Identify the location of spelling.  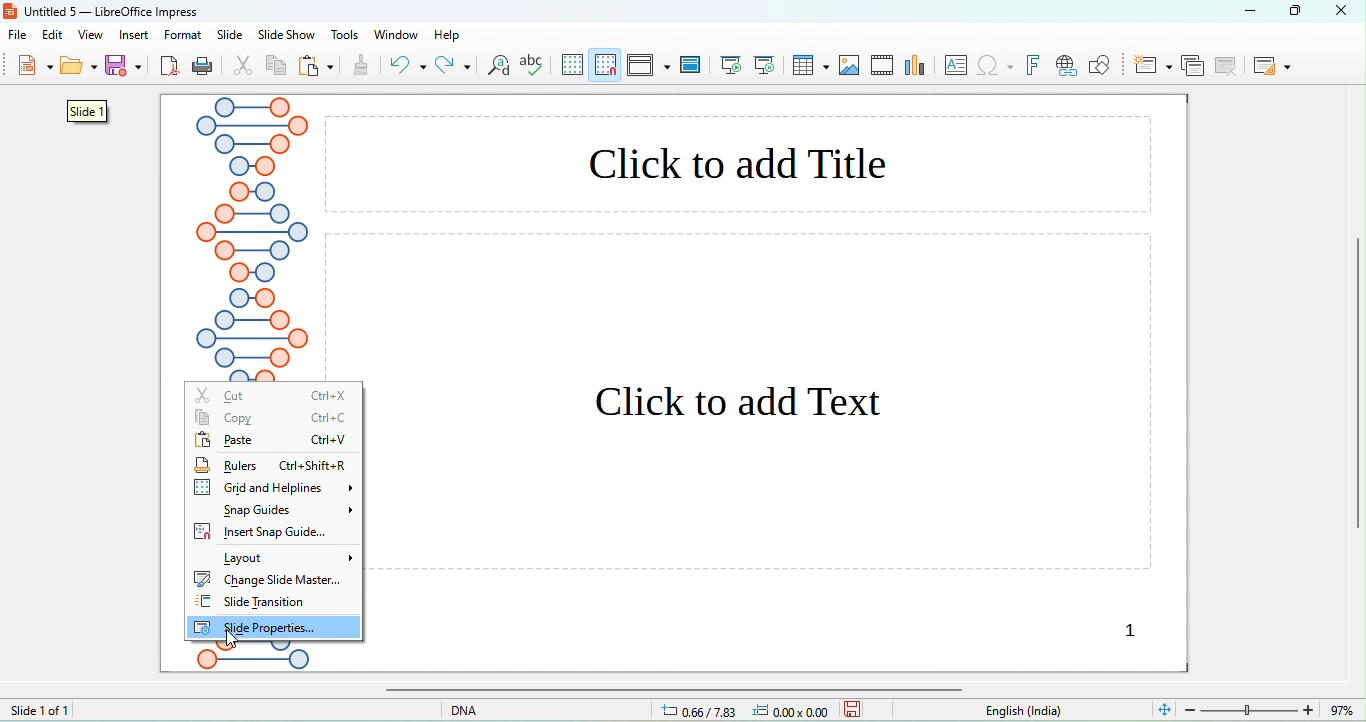
(535, 67).